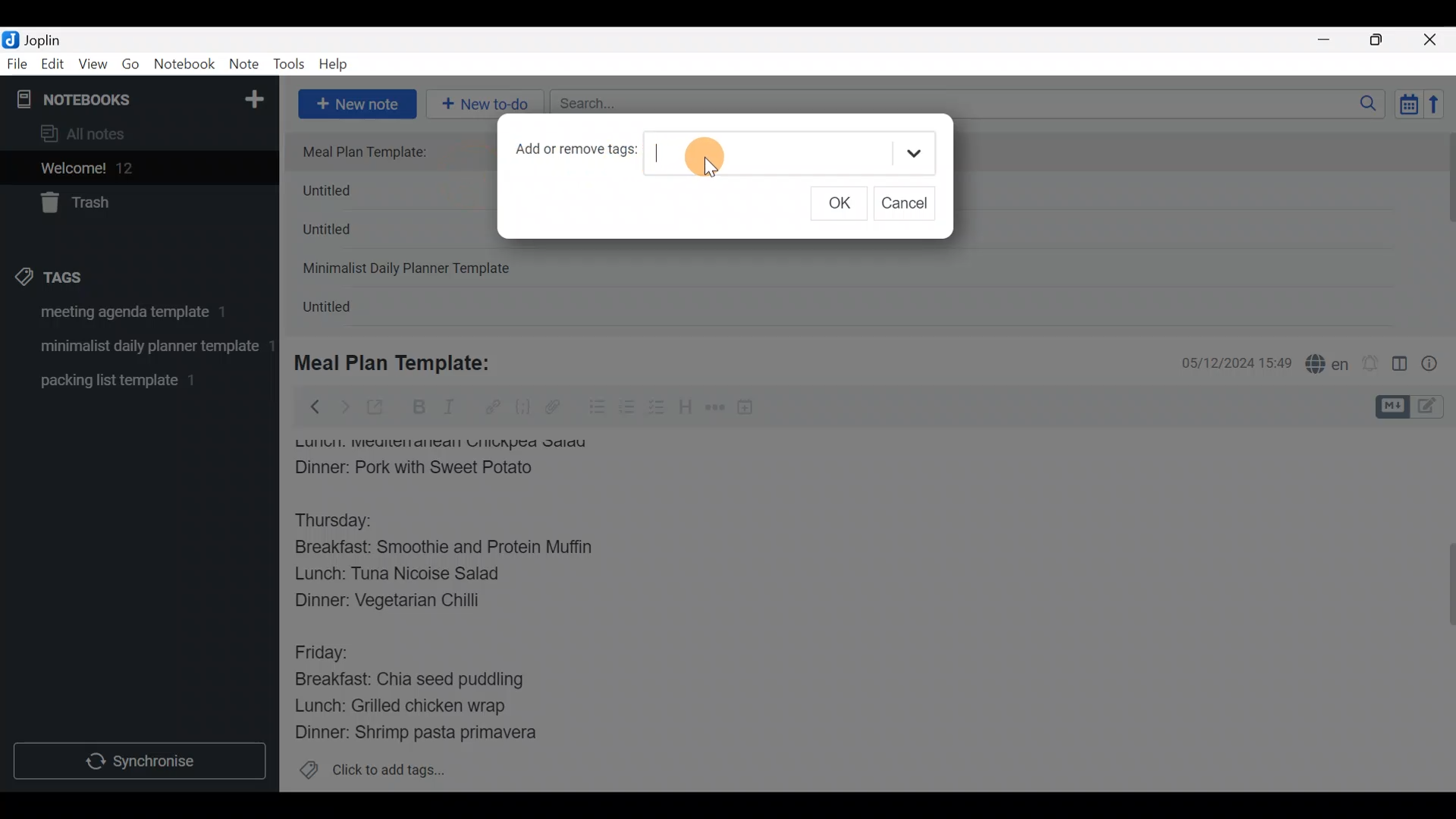  Describe the element at coordinates (1225, 362) in the screenshot. I see `Date & time` at that location.